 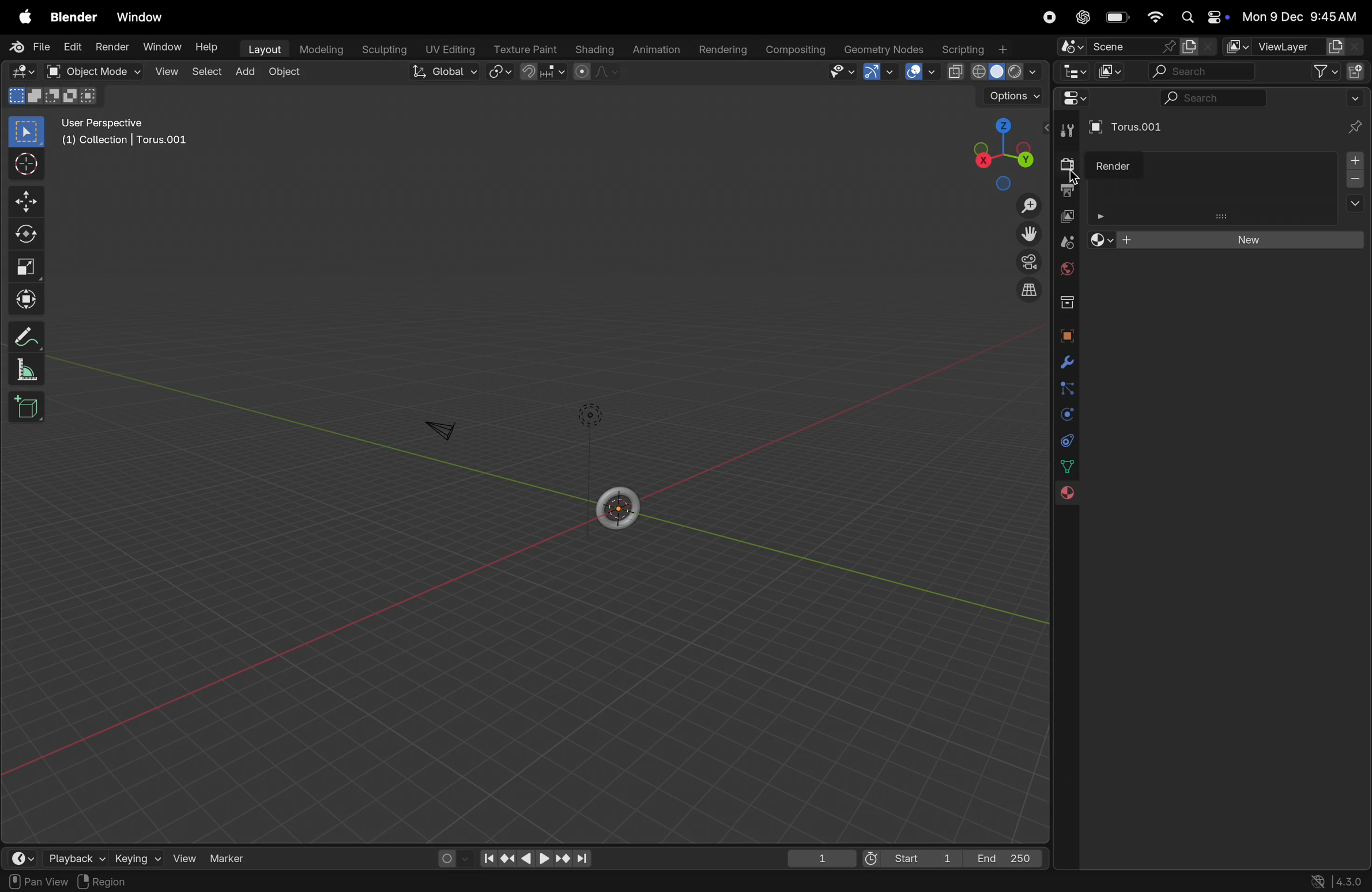 What do you see at coordinates (74, 48) in the screenshot?
I see `edit` at bounding box center [74, 48].